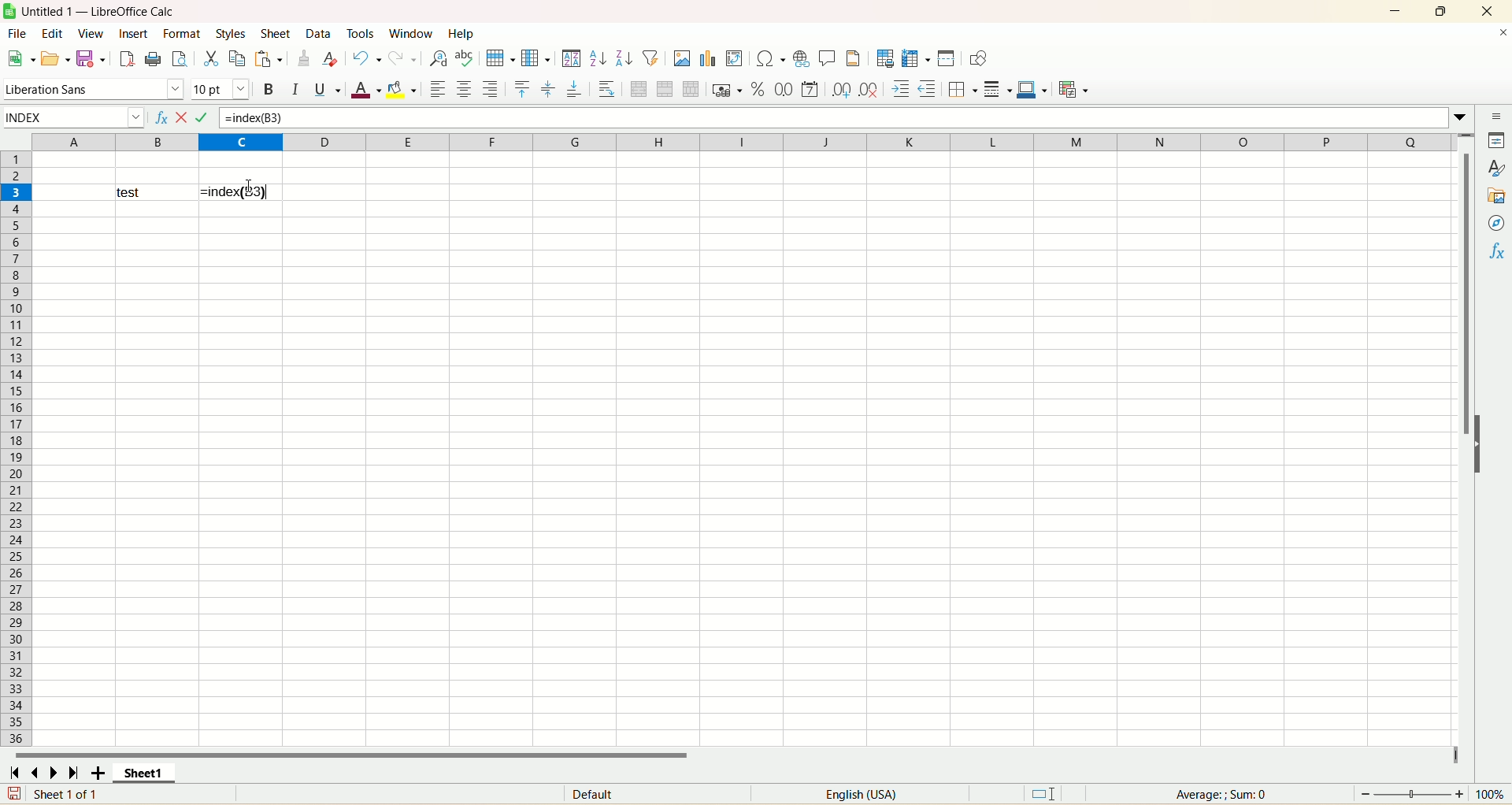  What do you see at coordinates (303, 57) in the screenshot?
I see `clone formatting` at bounding box center [303, 57].